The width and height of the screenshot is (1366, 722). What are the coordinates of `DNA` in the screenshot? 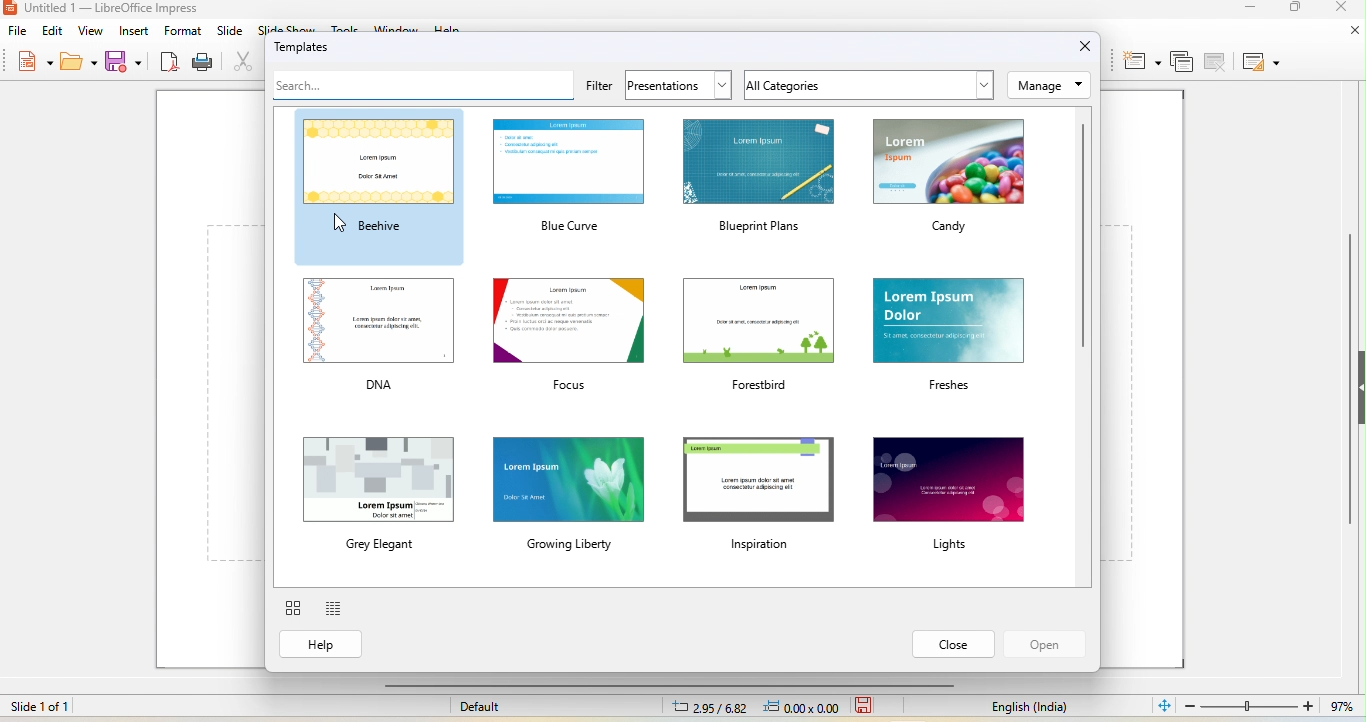 It's located at (378, 336).